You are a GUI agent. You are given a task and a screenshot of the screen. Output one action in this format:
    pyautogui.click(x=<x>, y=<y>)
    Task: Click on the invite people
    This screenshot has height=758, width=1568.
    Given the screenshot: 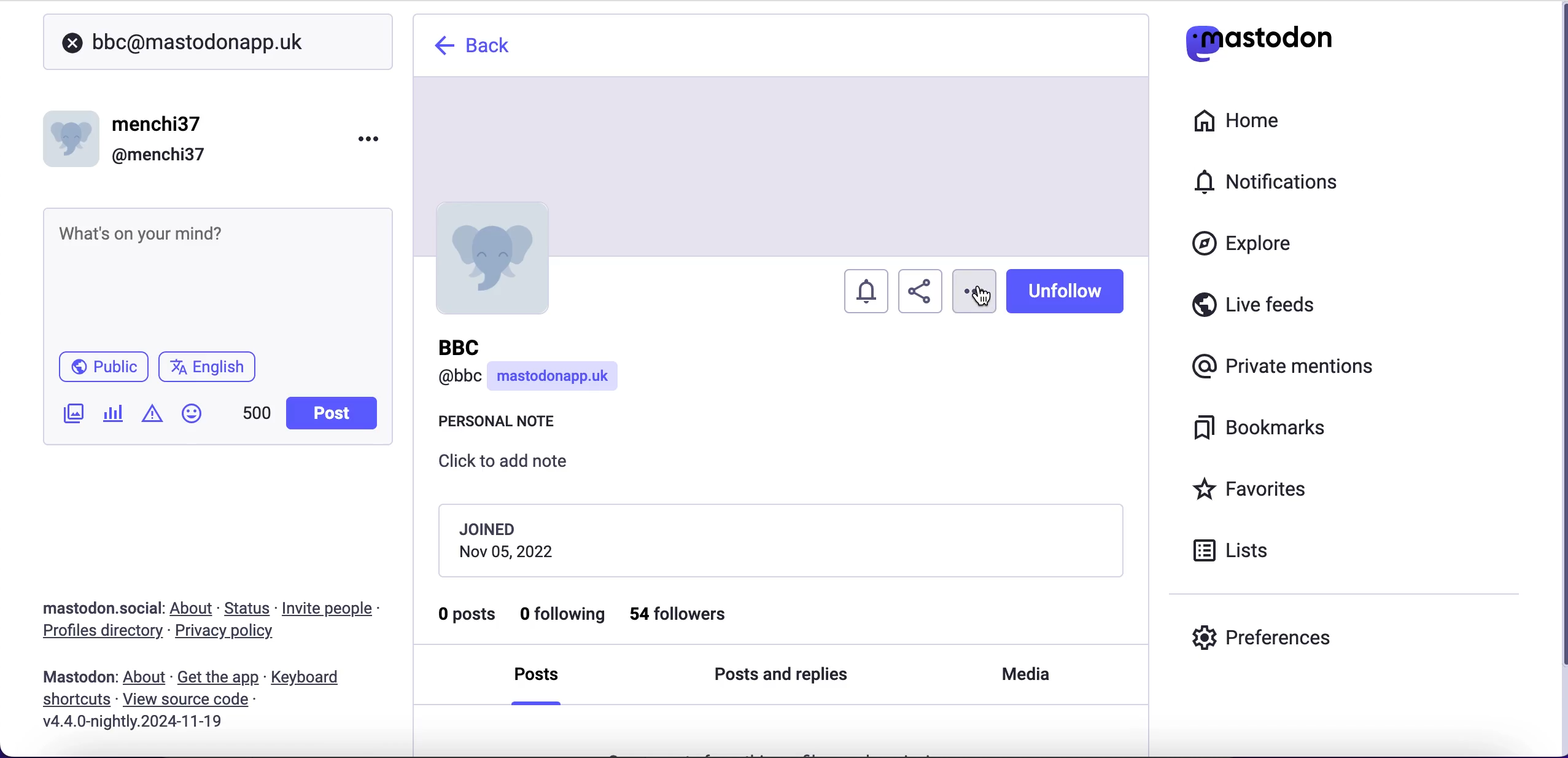 What is the action you would take?
    pyautogui.click(x=334, y=609)
    